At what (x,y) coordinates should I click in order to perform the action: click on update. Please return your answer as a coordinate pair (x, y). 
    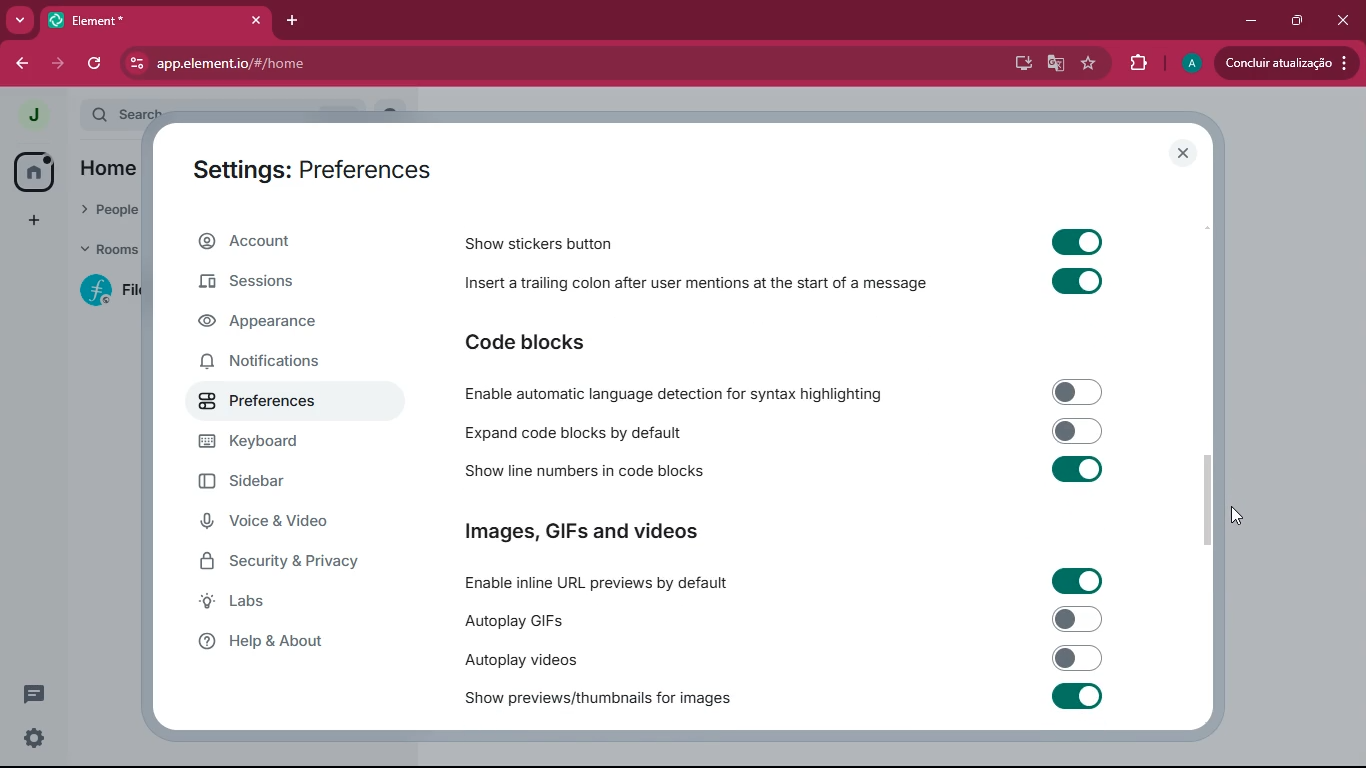
    Looking at the image, I should click on (1284, 62).